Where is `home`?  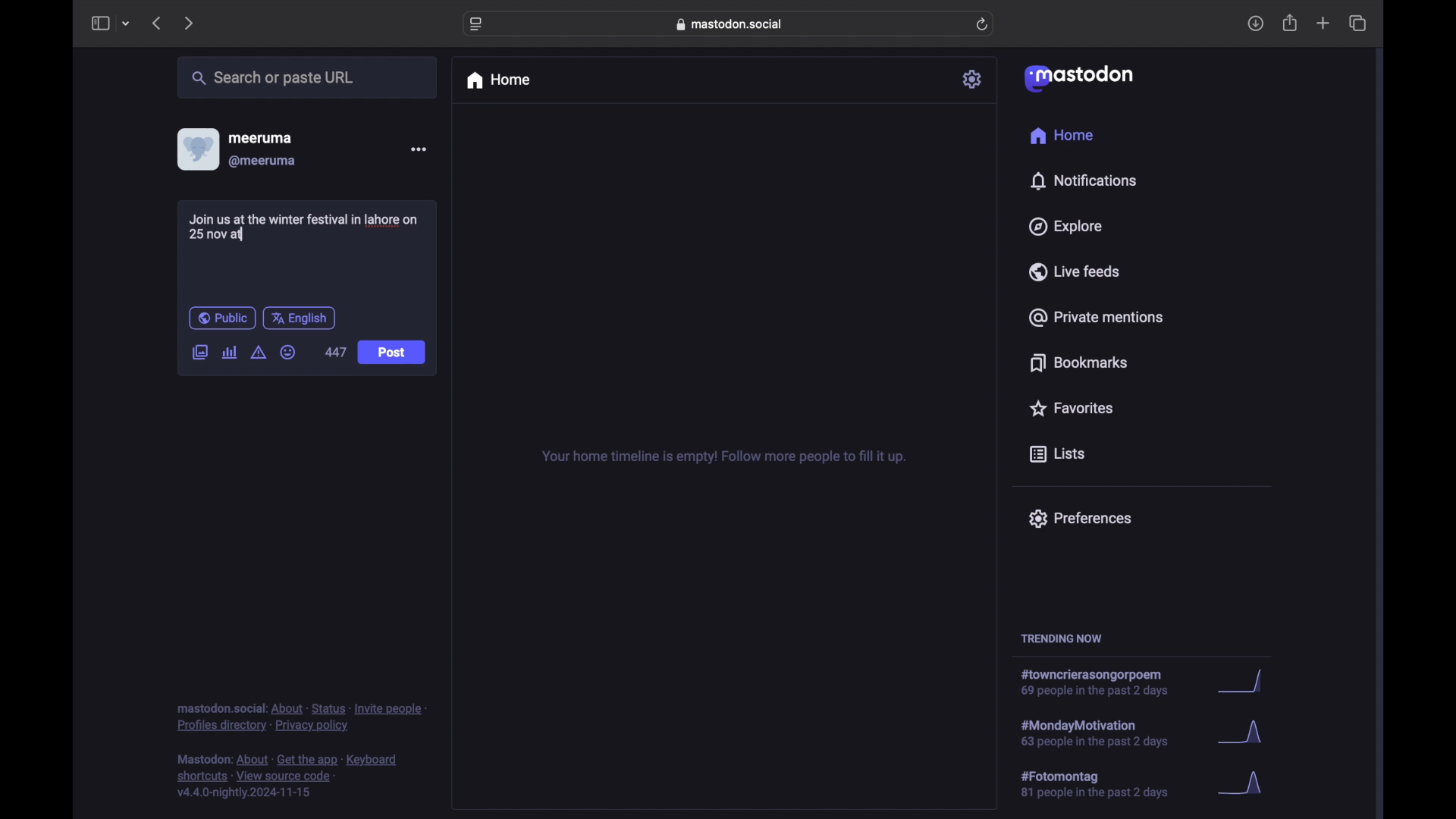 home is located at coordinates (1061, 136).